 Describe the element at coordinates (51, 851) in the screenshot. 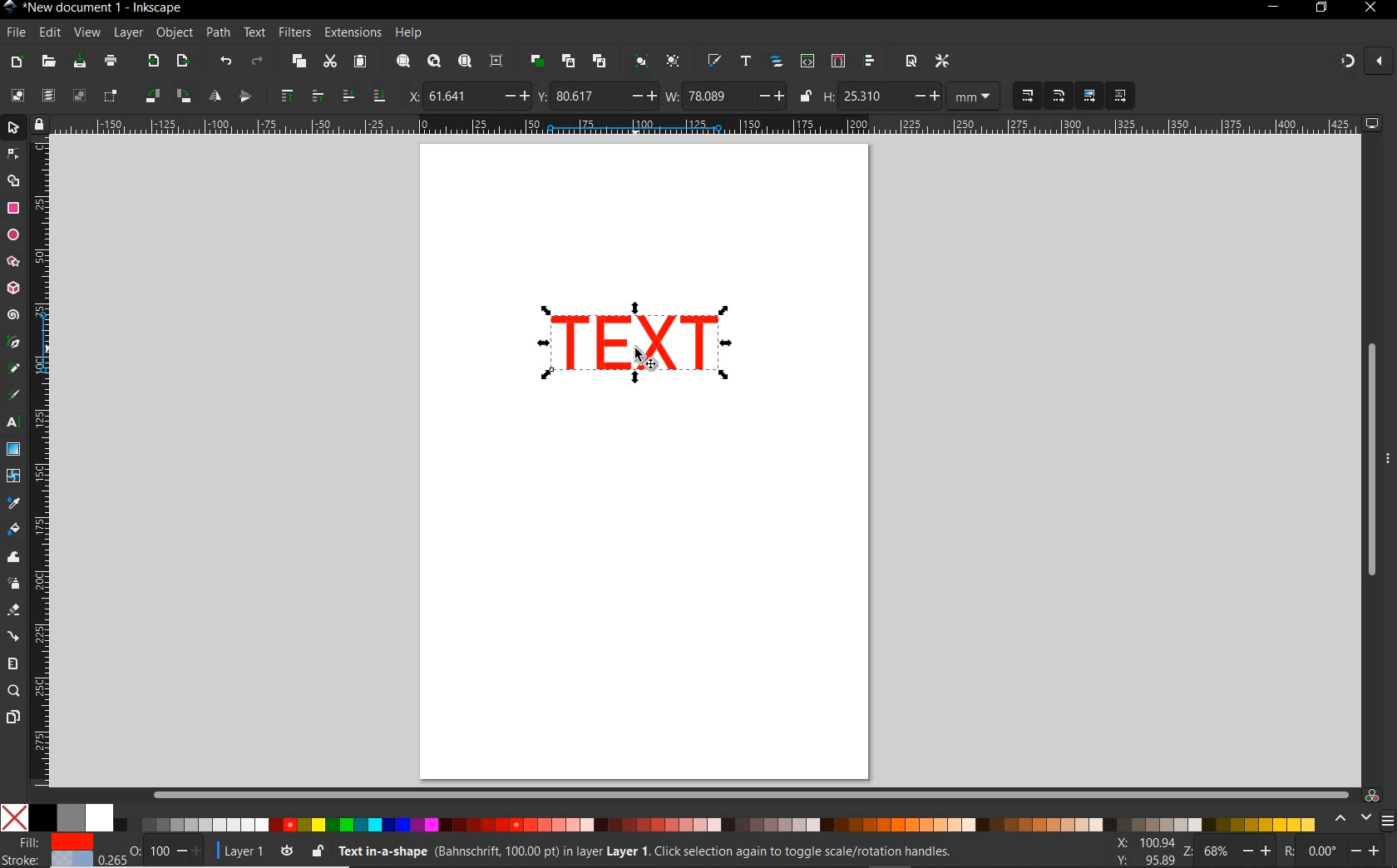

I see `fill and stroke` at that location.